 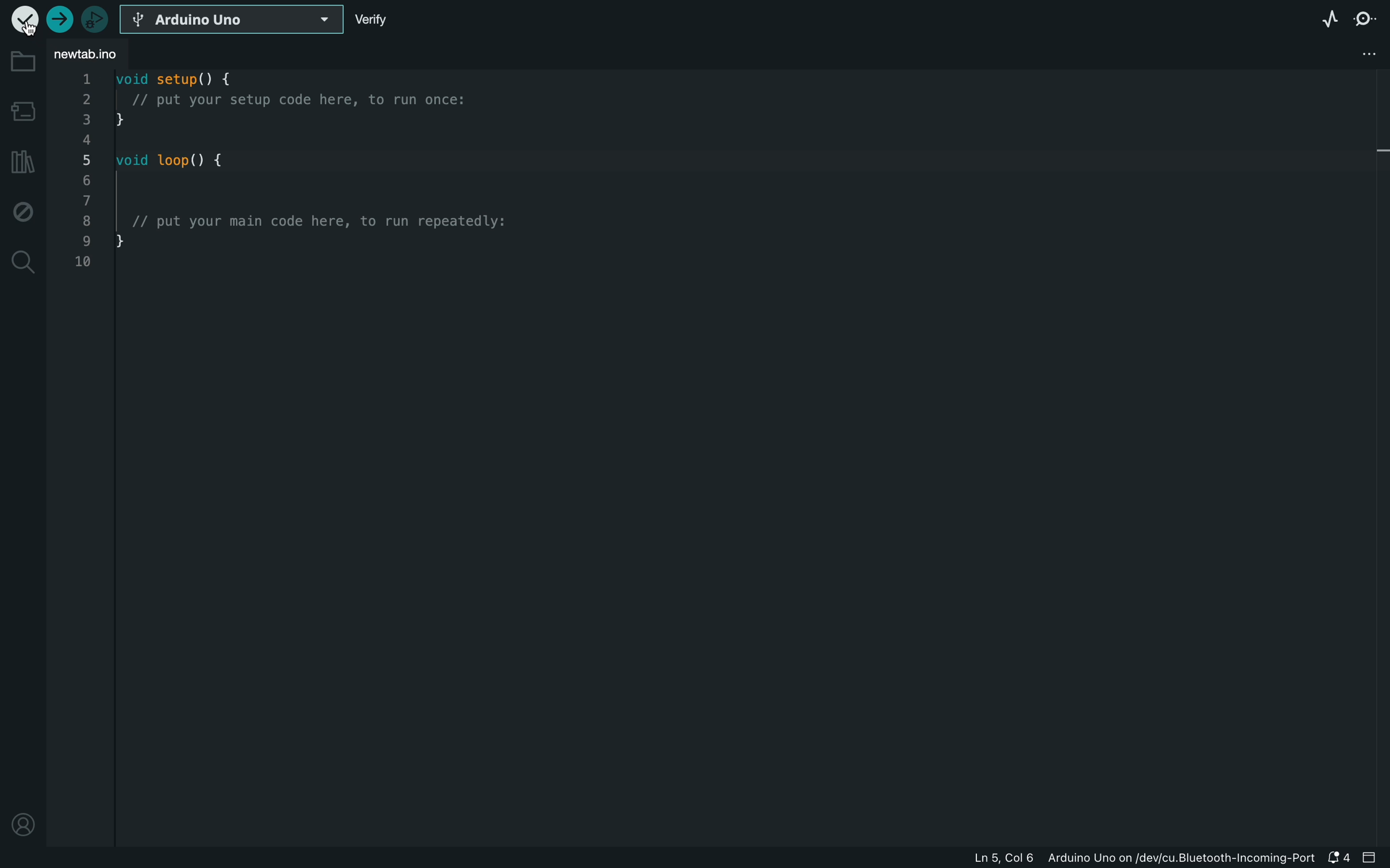 What do you see at coordinates (94, 19) in the screenshot?
I see `debugger` at bounding box center [94, 19].